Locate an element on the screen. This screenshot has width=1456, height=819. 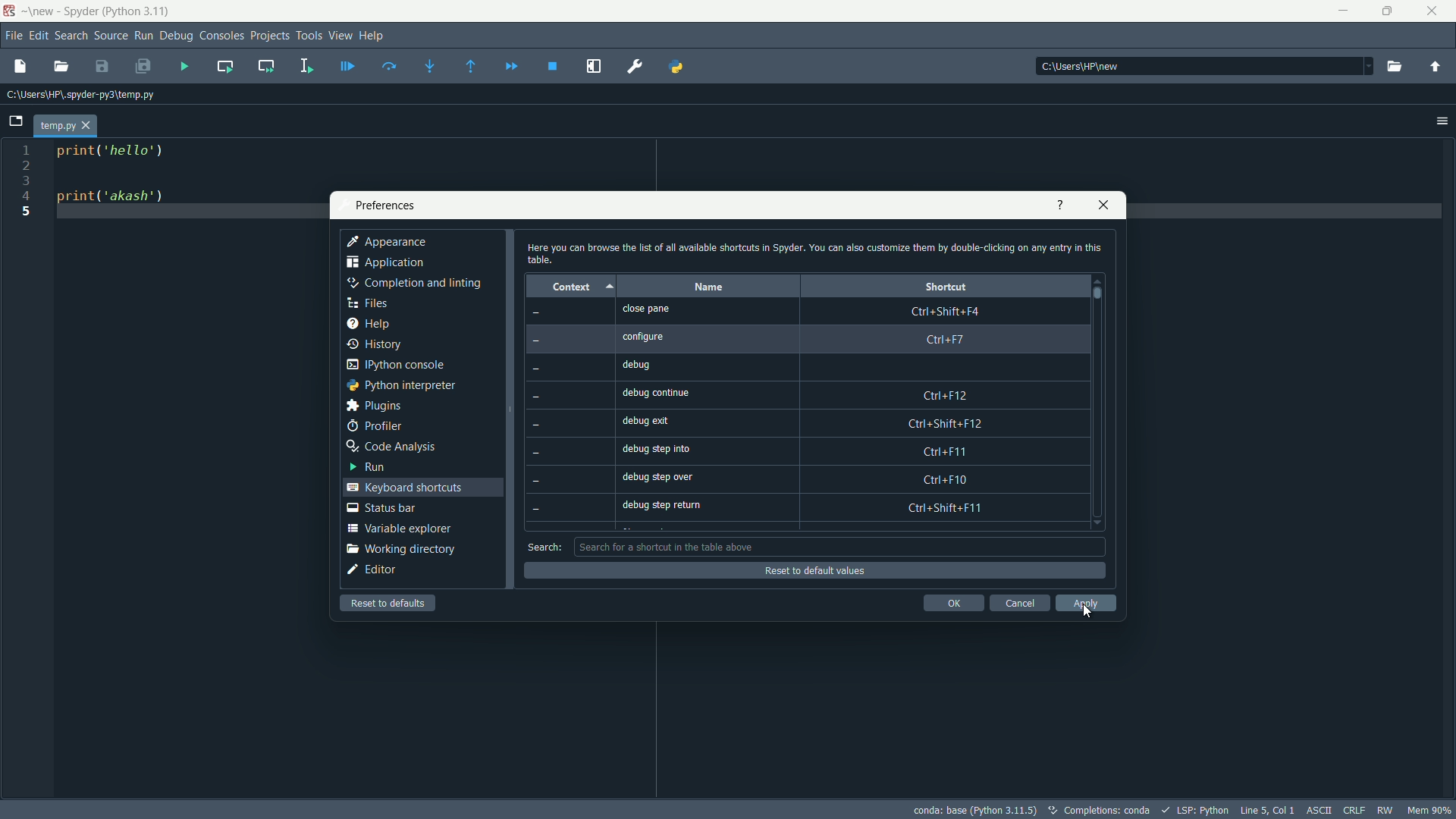
completion and linting is located at coordinates (411, 283).